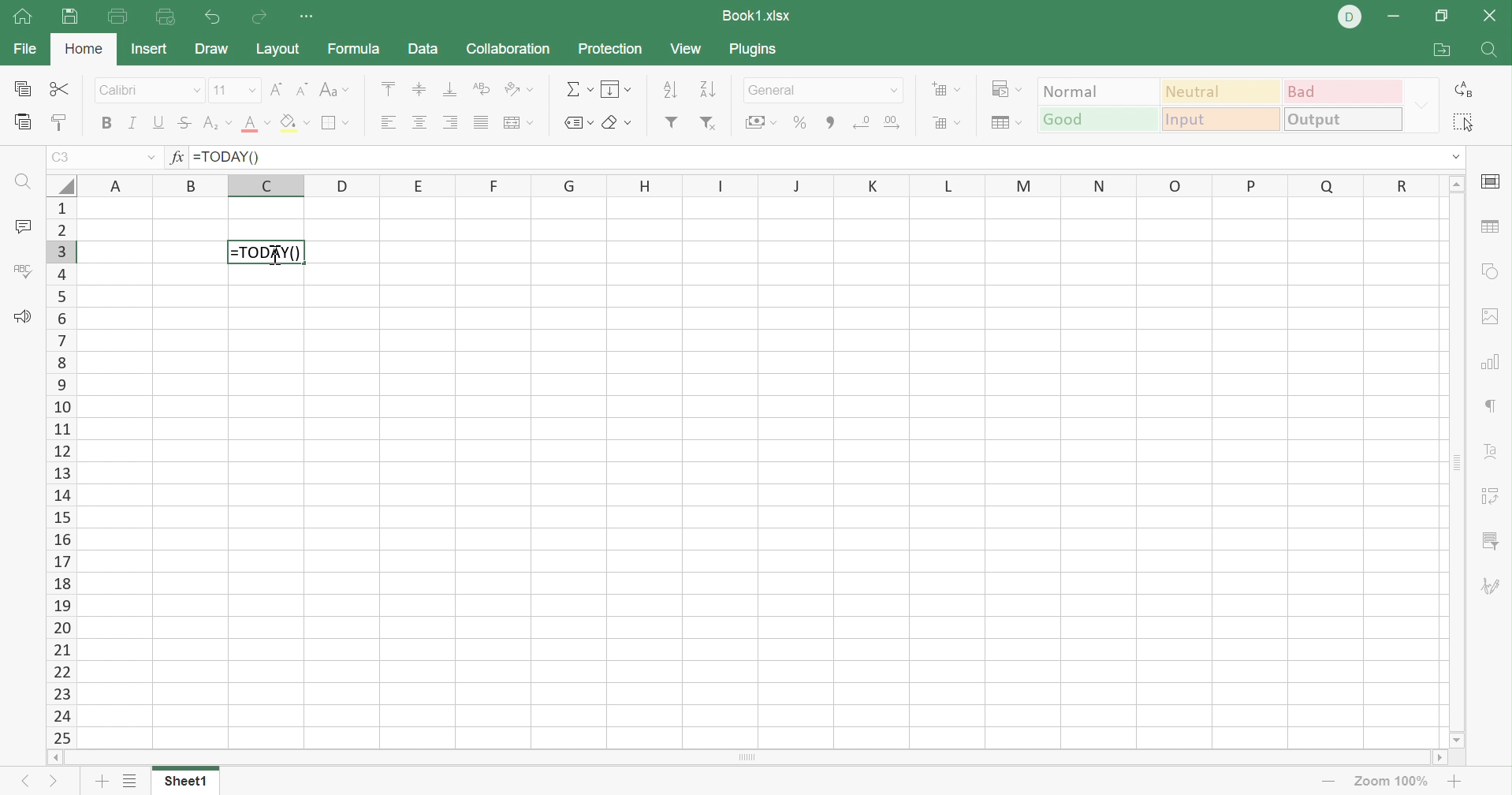 The height and width of the screenshot is (795, 1512). What do you see at coordinates (1463, 121) in the screenshot?
I see `Select all` at bounding box center [1463, 121].